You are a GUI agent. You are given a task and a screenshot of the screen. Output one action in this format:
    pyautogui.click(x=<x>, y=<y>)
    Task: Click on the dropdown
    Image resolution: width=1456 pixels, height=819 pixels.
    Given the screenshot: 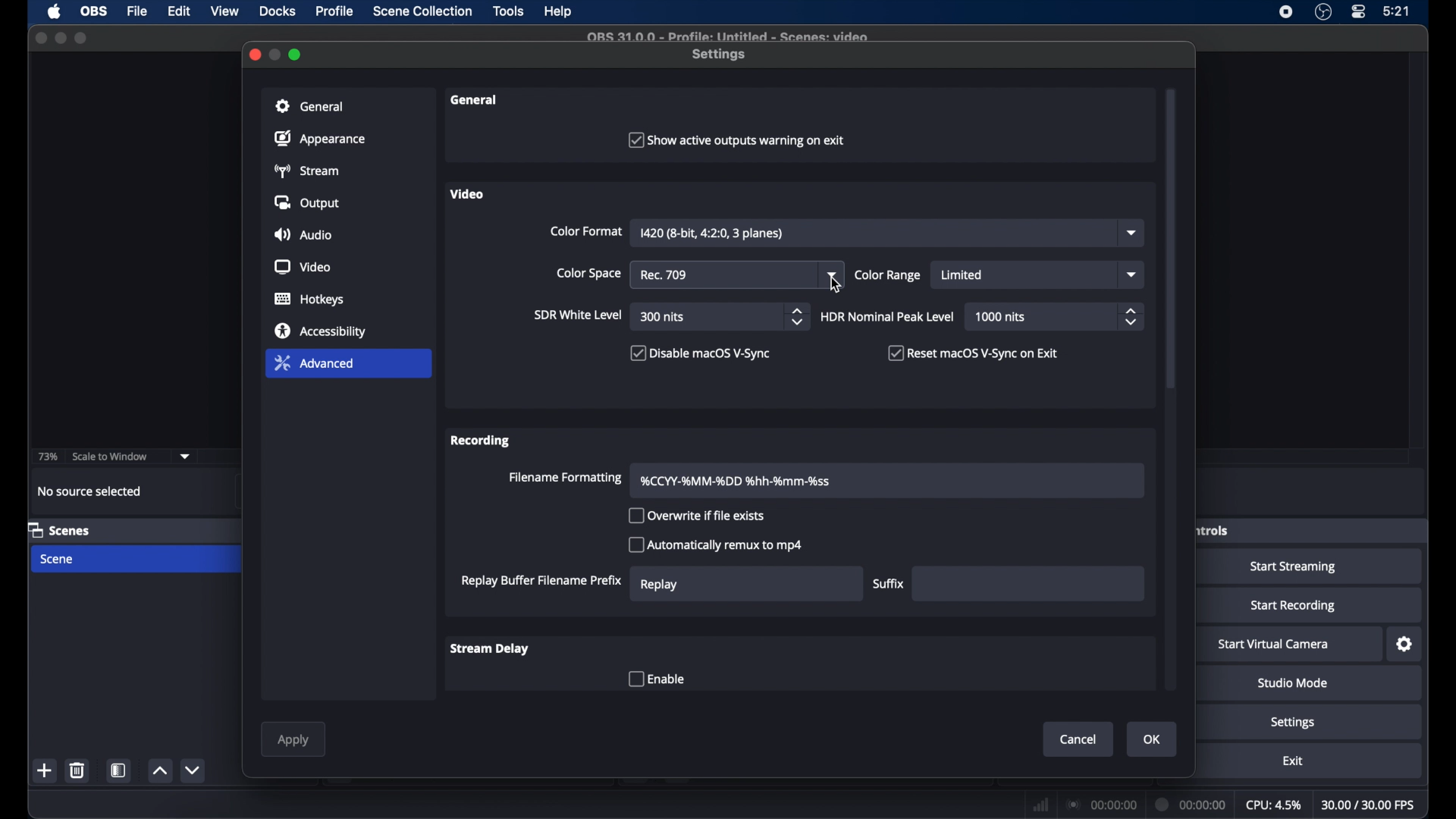 What is the action you would take?
    pyautogui.click(x=186, y=457)
    